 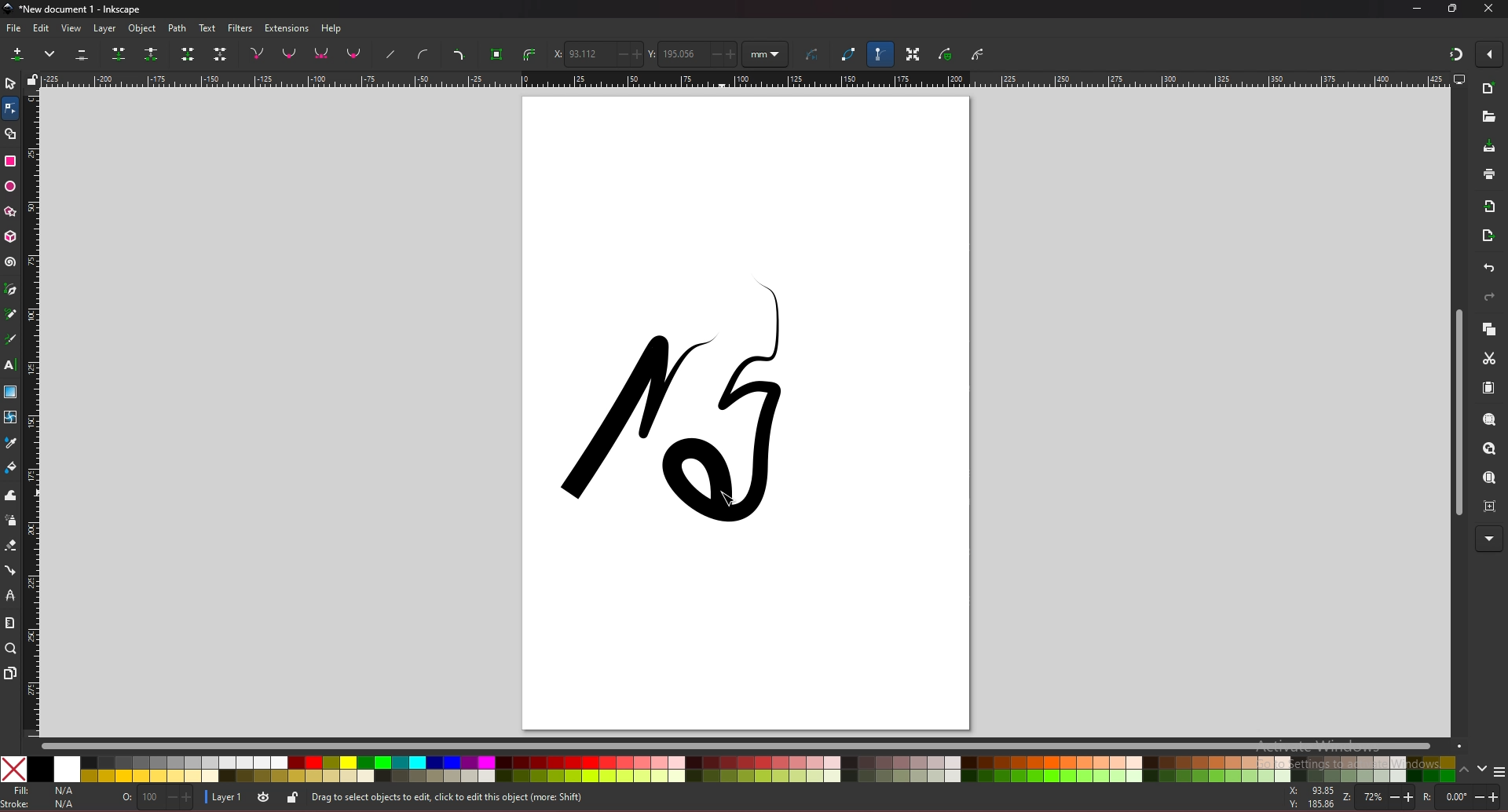 What do you see at coordinates (946, 53) in the screenshot?
I see `show mask` at bounding box center [946, 53].